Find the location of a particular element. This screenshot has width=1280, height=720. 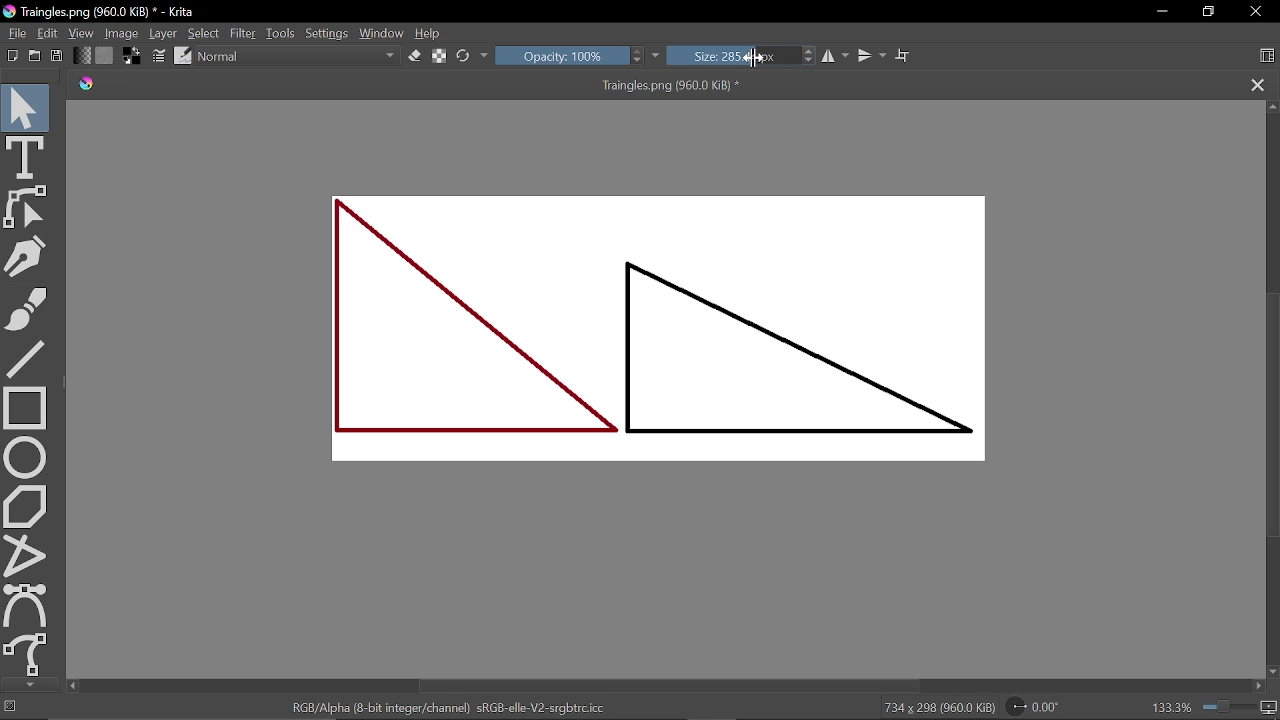

Move right is located at coordinates (1262, 687).